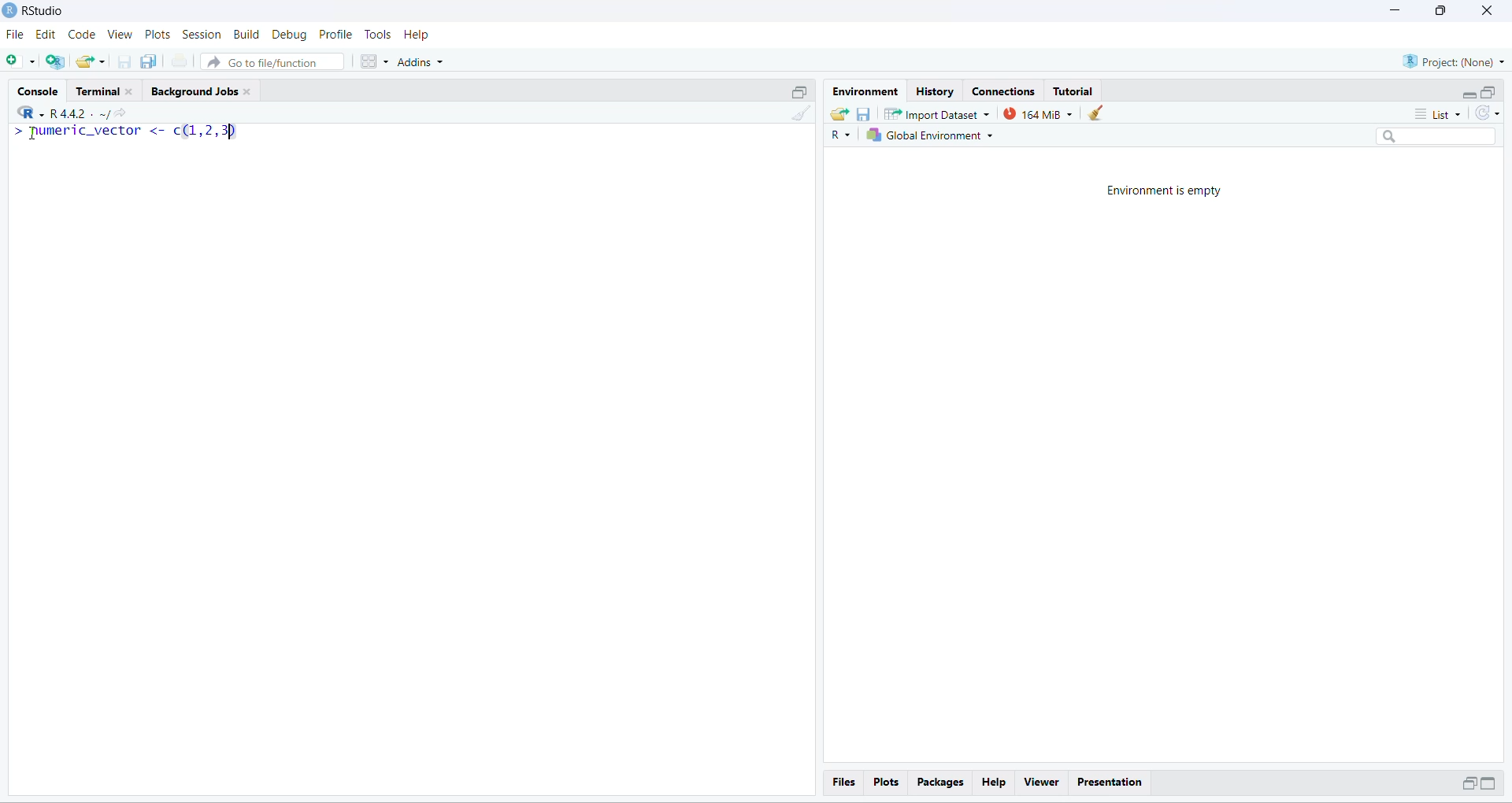 The width and height of the screenshot is (1512, 803). I want to click on Session, so click(202, 35).